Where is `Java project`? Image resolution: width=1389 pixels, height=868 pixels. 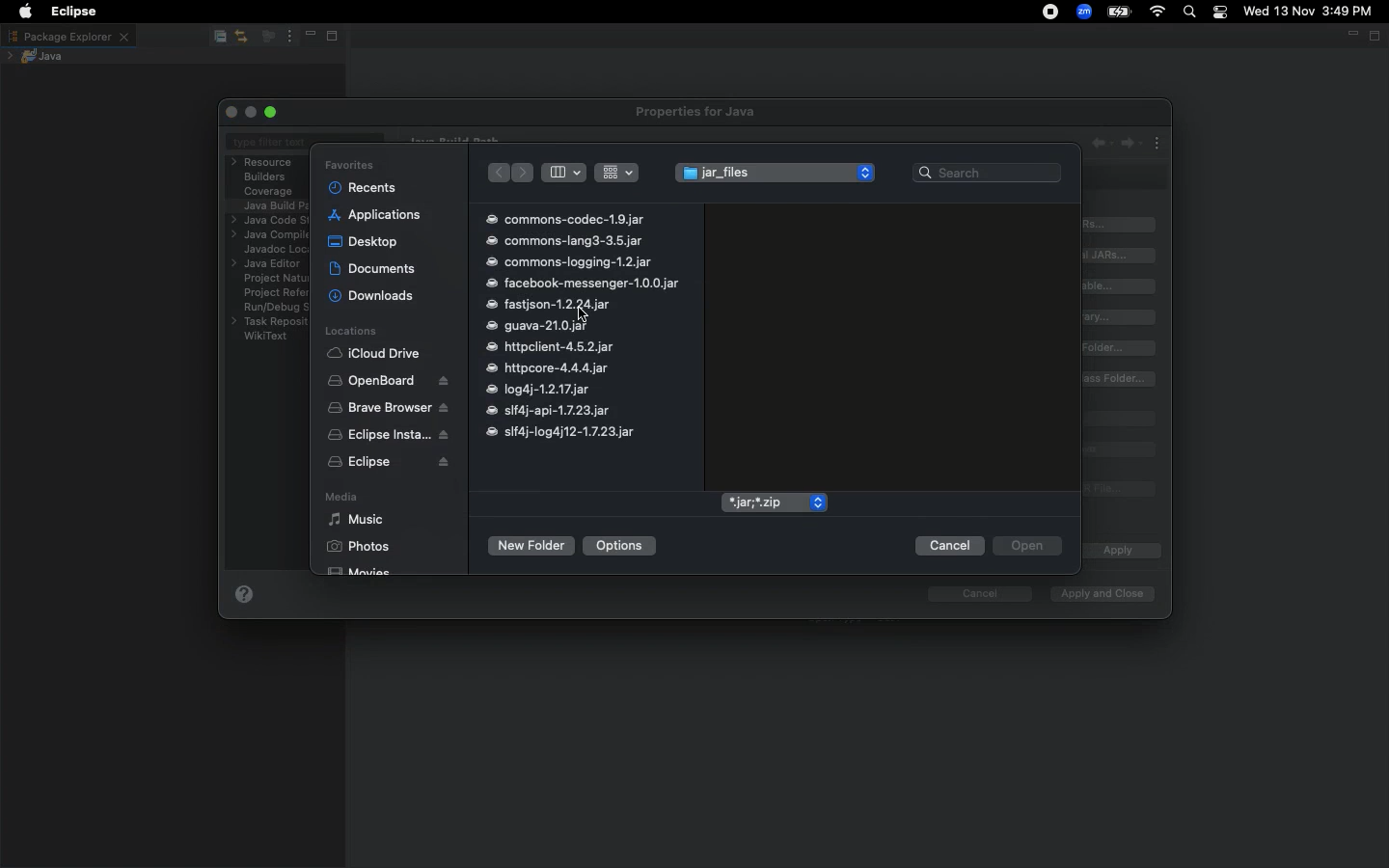 Java project is located at coordinates (40, 56).